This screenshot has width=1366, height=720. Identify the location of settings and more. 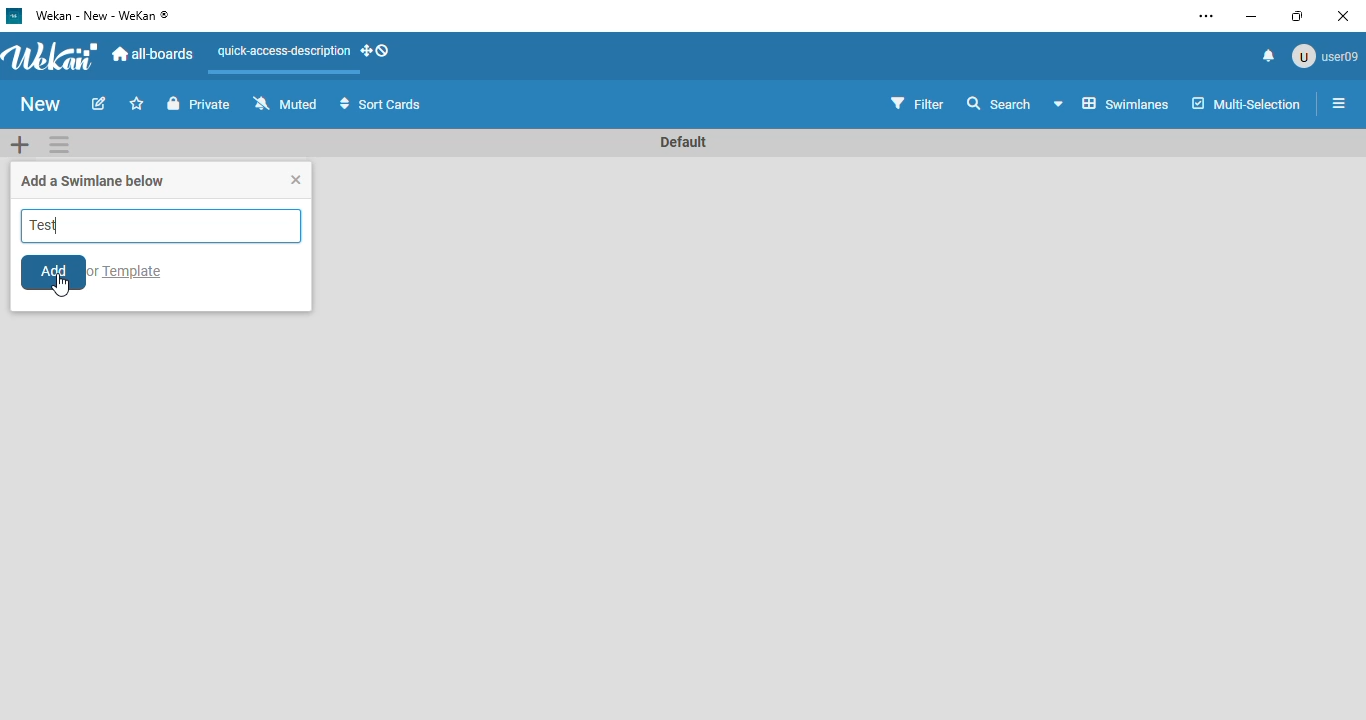
(1206, 16).